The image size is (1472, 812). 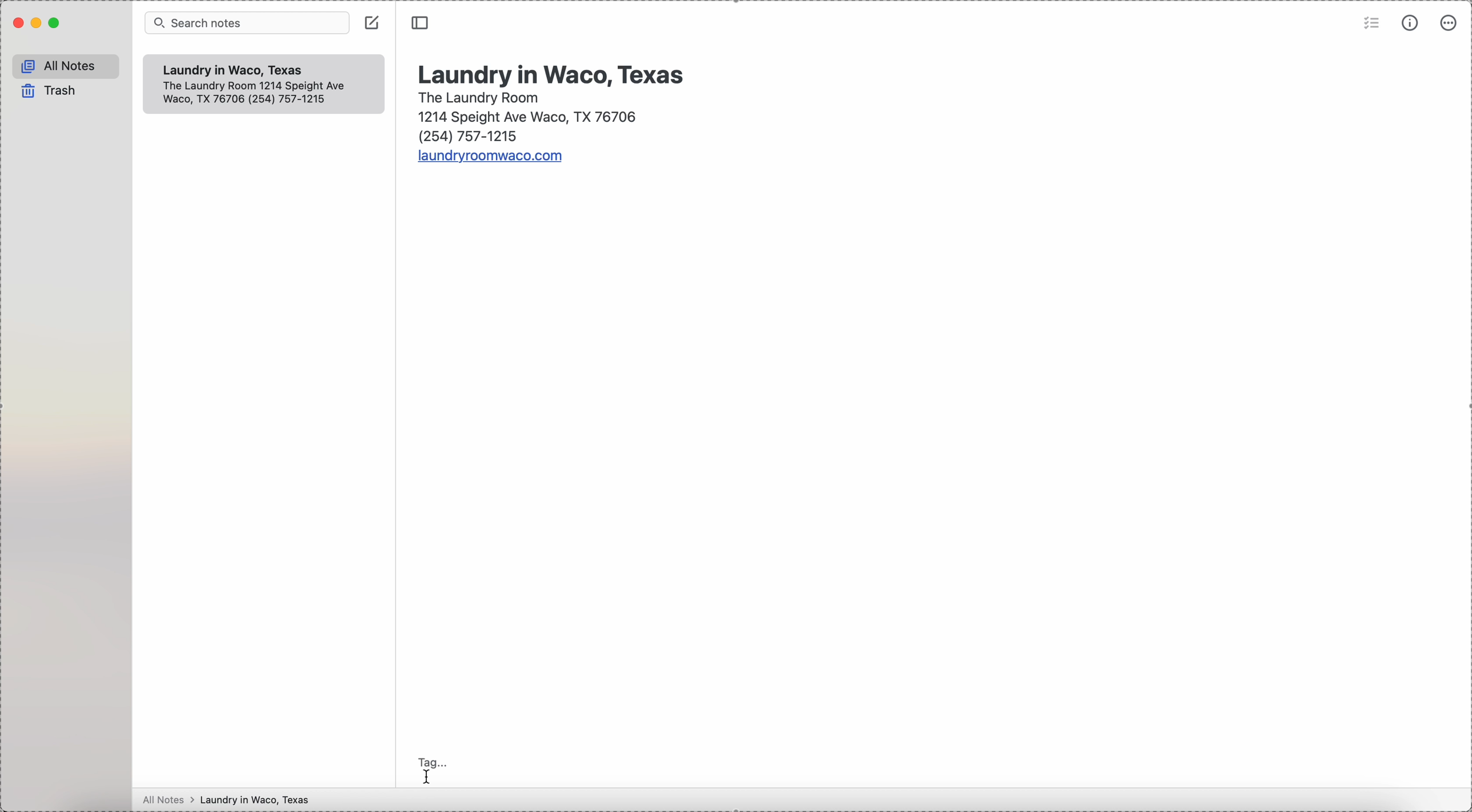 What do you see at coordinates (428, 779) in the screenshot?
I see `cursor` at bounding box center [428, 779].